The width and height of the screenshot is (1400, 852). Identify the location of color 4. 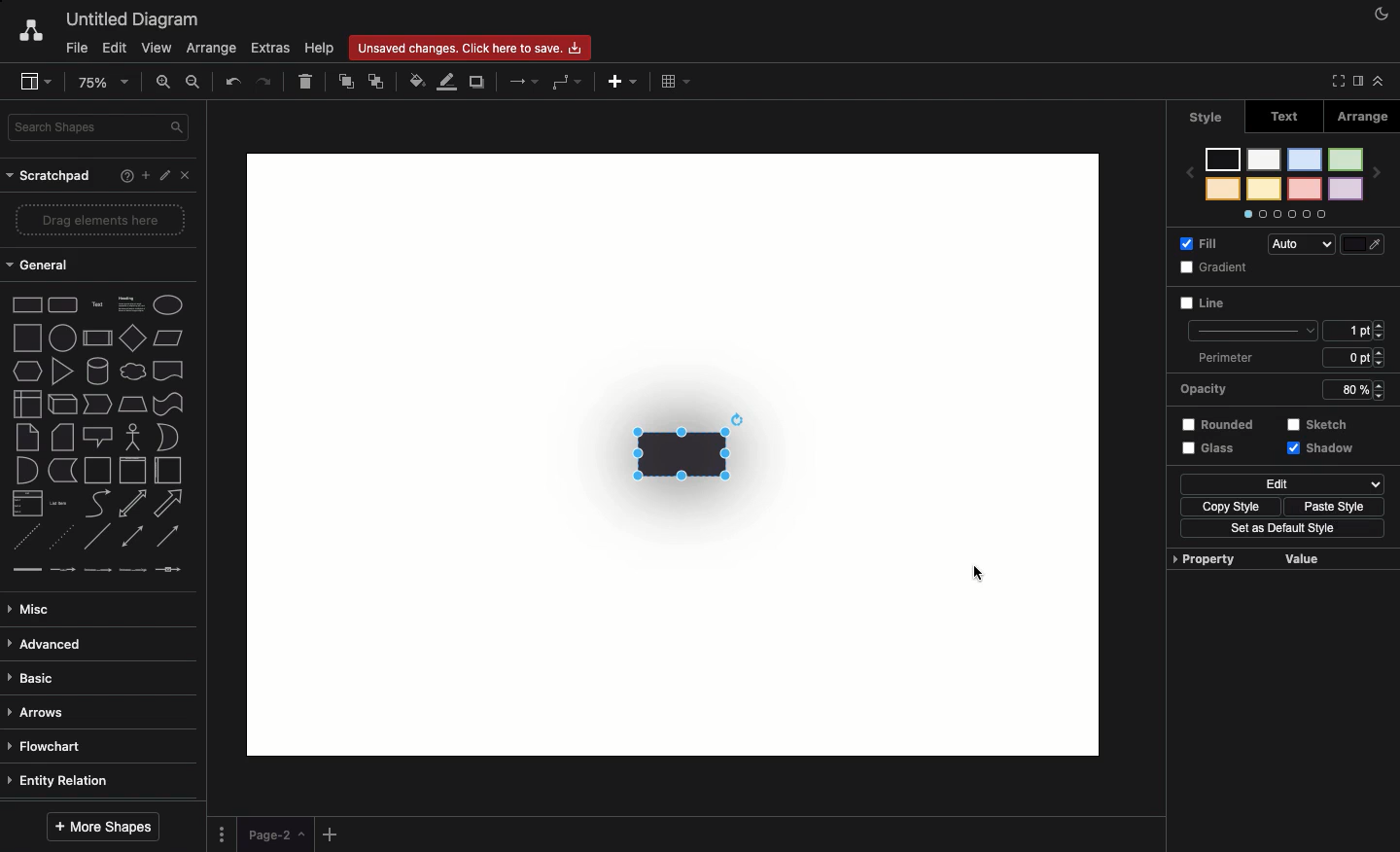
(1304, 190).